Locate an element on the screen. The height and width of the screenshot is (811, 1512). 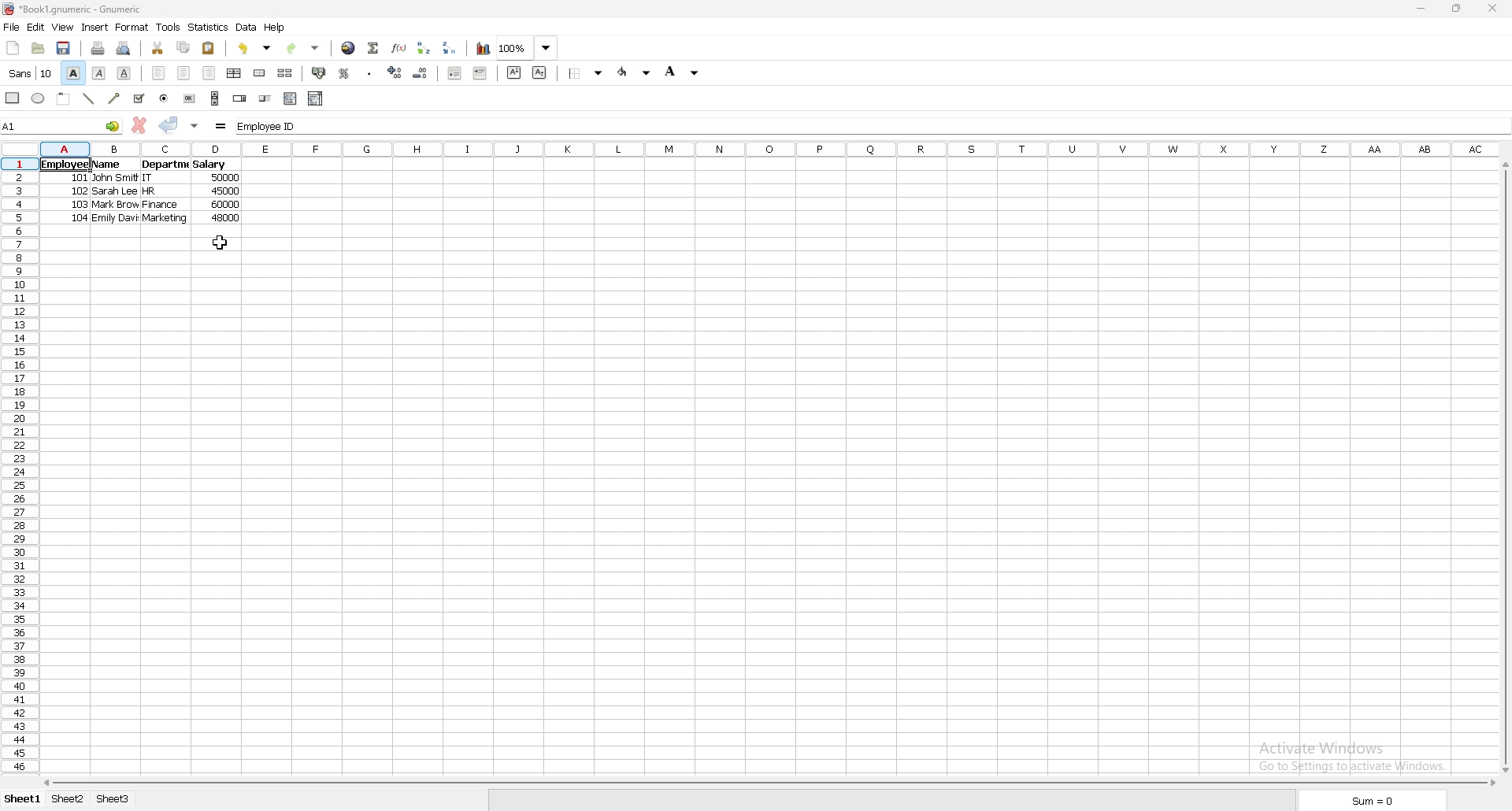
help is located at coordinates (275, 28).